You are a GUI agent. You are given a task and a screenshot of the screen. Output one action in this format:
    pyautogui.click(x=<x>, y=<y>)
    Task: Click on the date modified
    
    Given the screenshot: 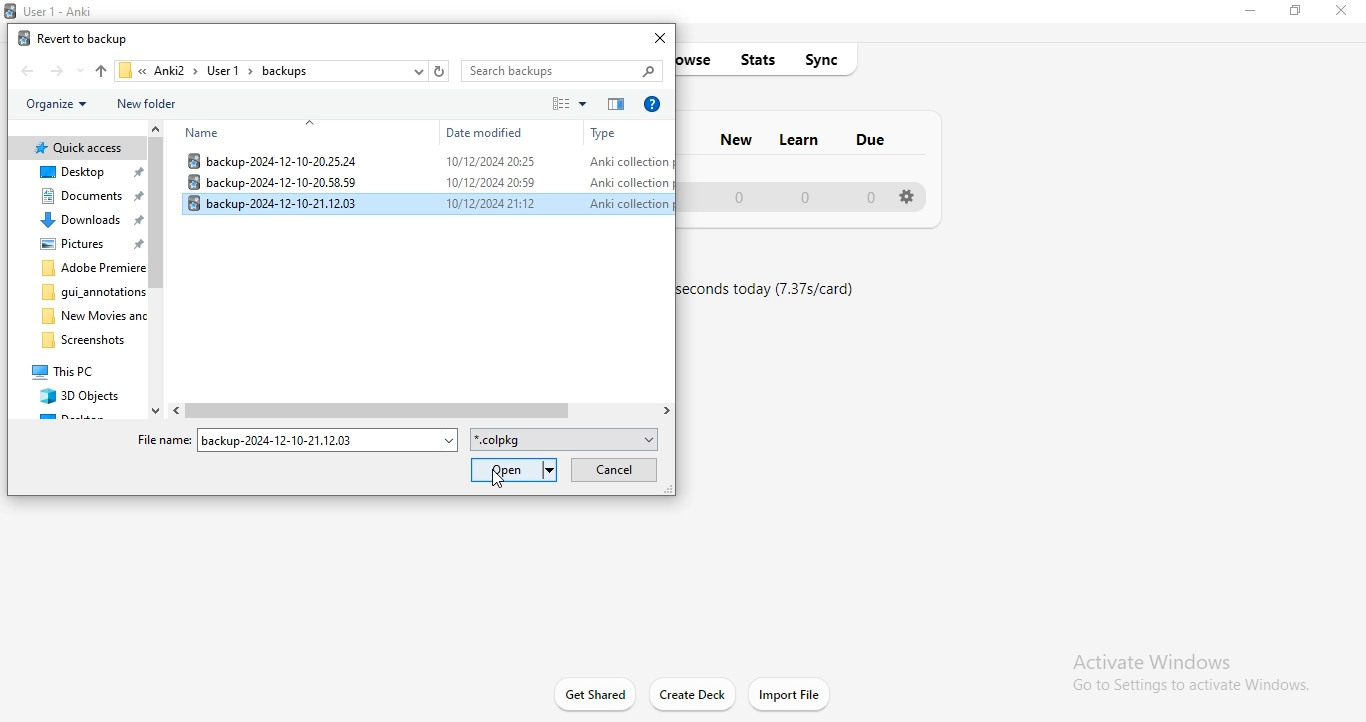 What is the action you would take?
    pyautogui.click(x=488, y=134)
    